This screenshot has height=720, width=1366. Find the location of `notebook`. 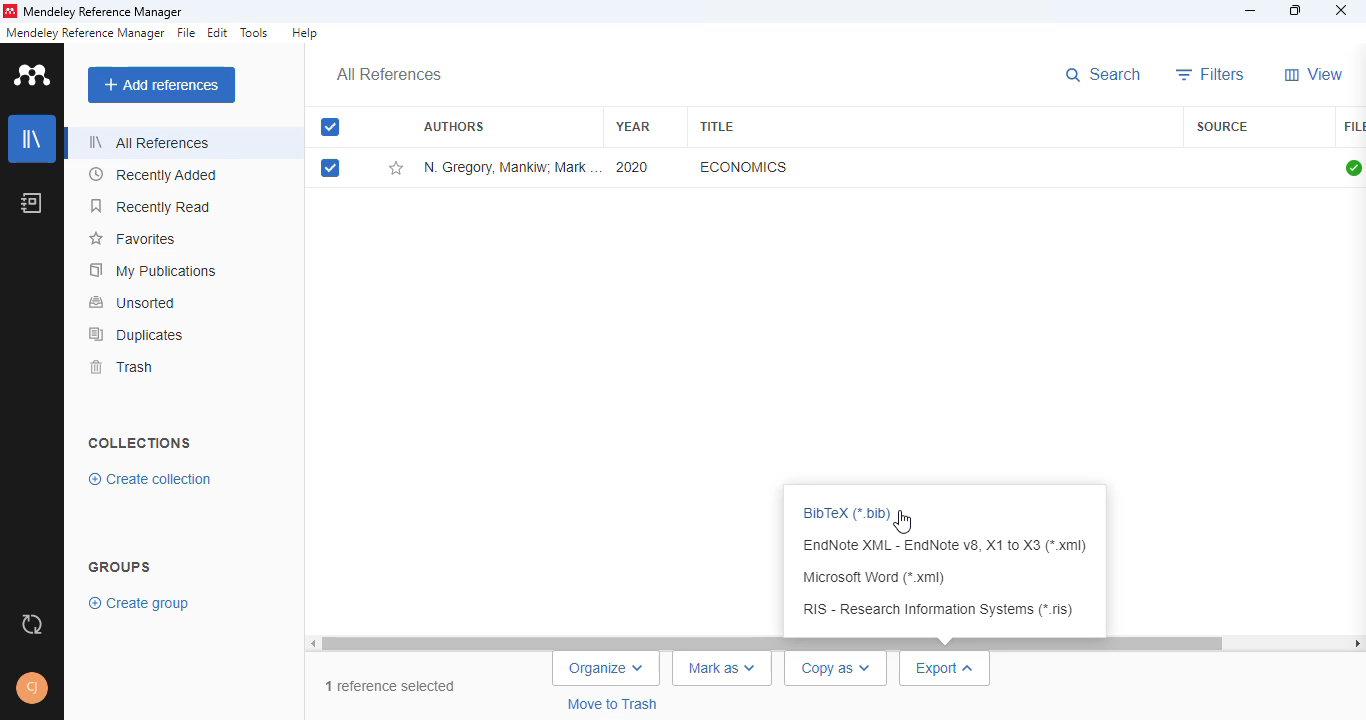

notebook is located at coordinates (30, 203).